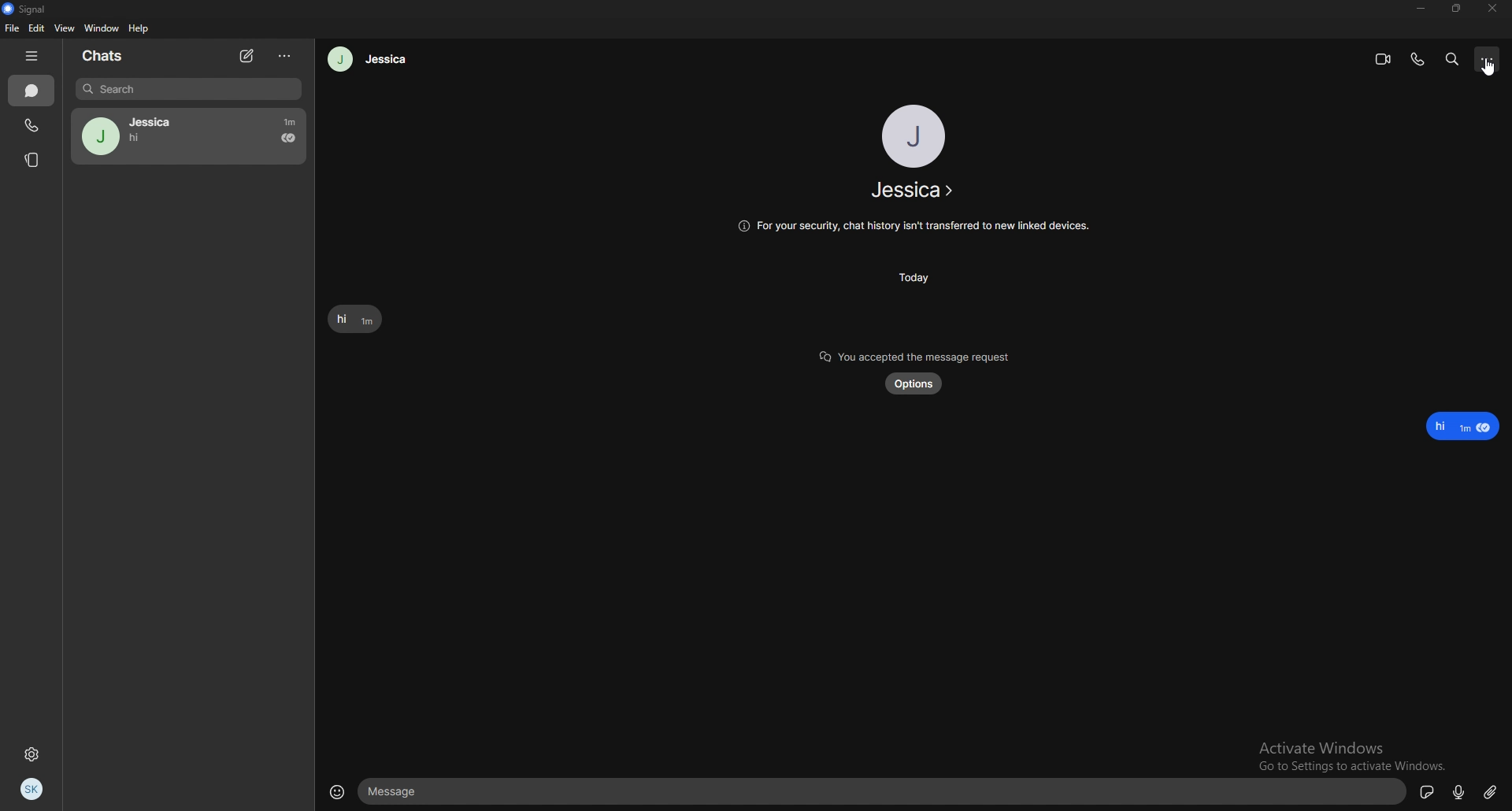 The width and height of the screenshot is (1512, 811). What do you see at coordinates (11, 28) in the screenshot?
I see `File` at bounding box center [11, 28].